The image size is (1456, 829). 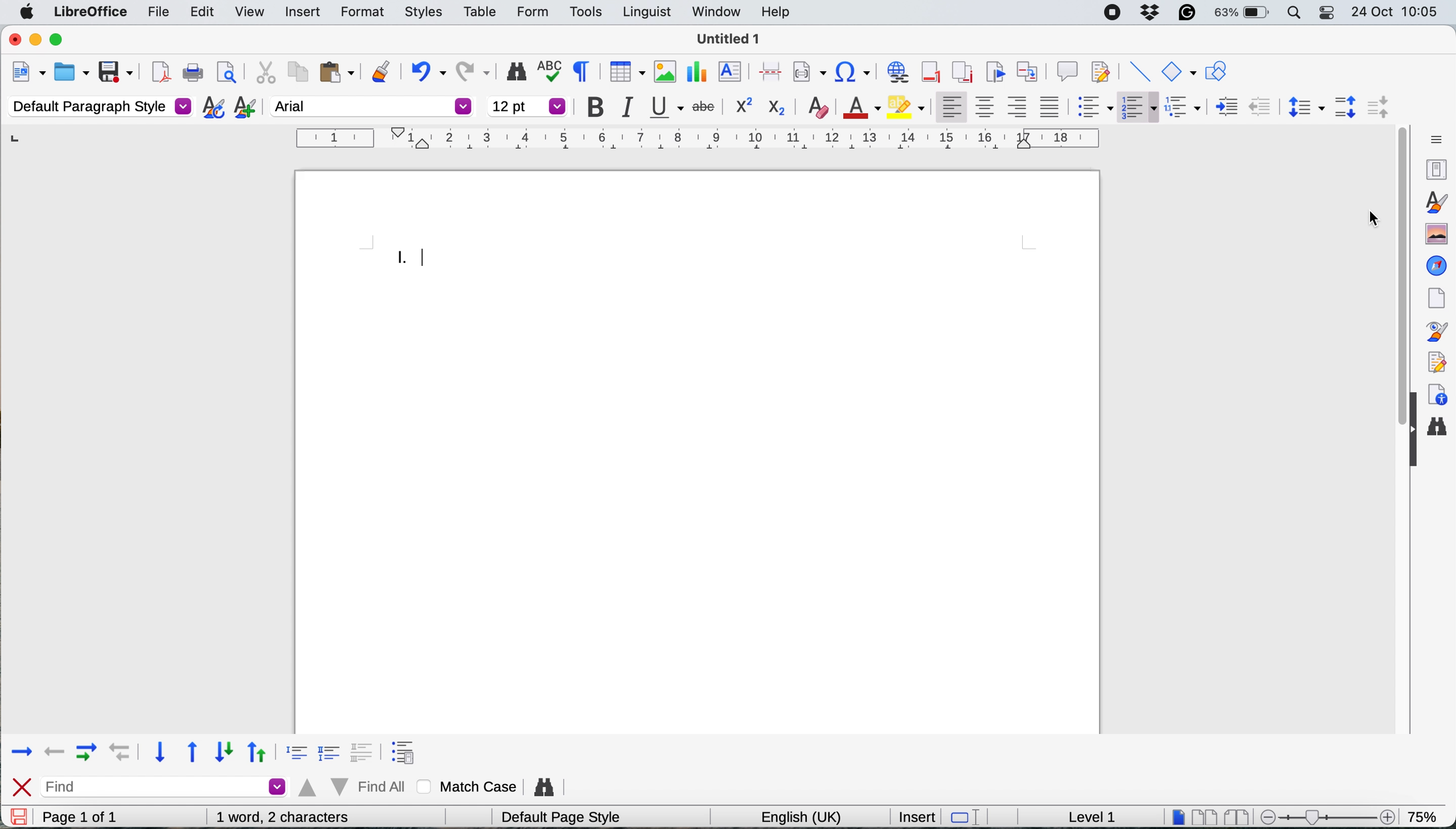 I want to click on justified, so click(x=1053, y=106).